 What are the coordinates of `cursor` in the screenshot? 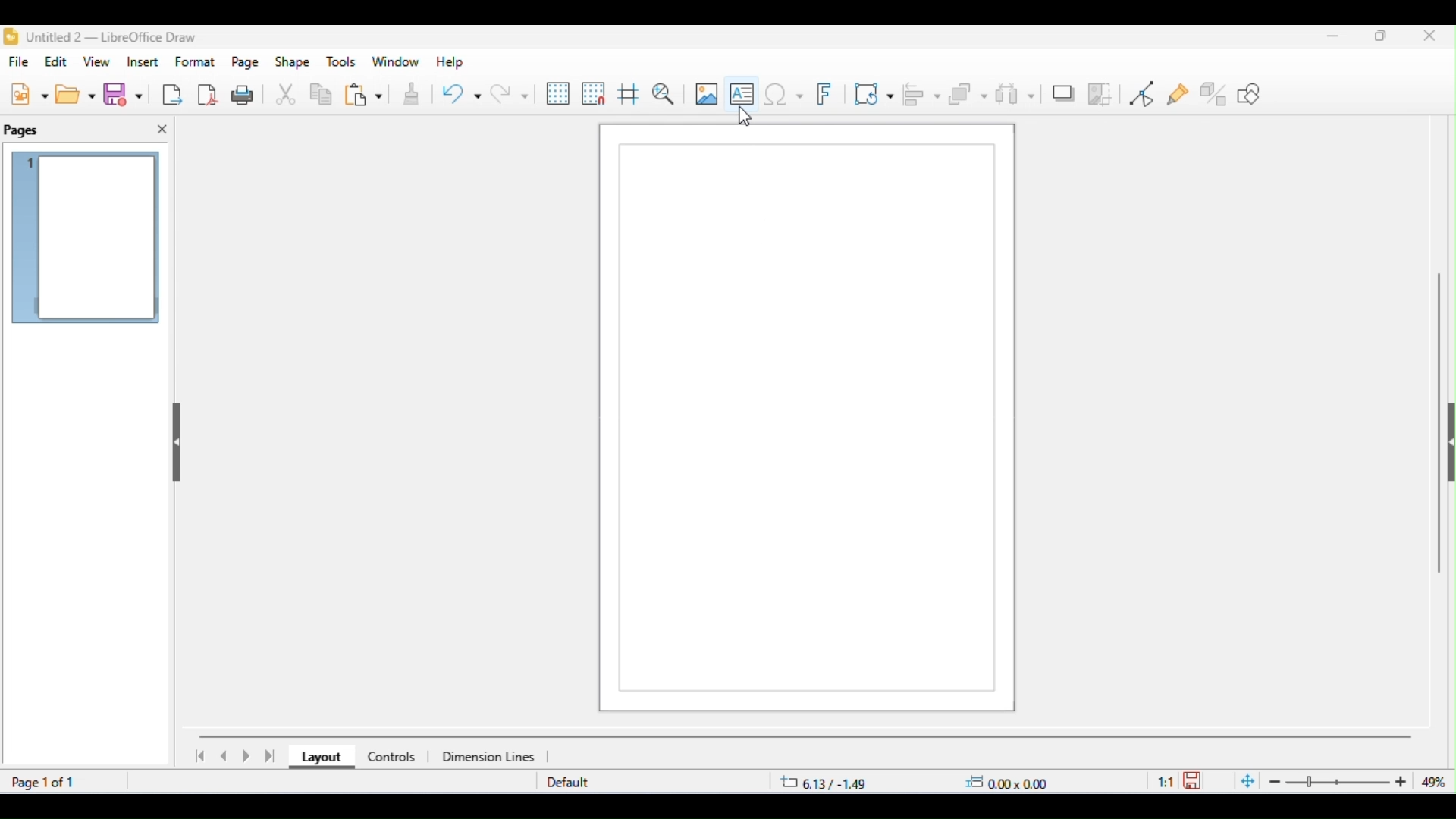 It's located at (748, 117).